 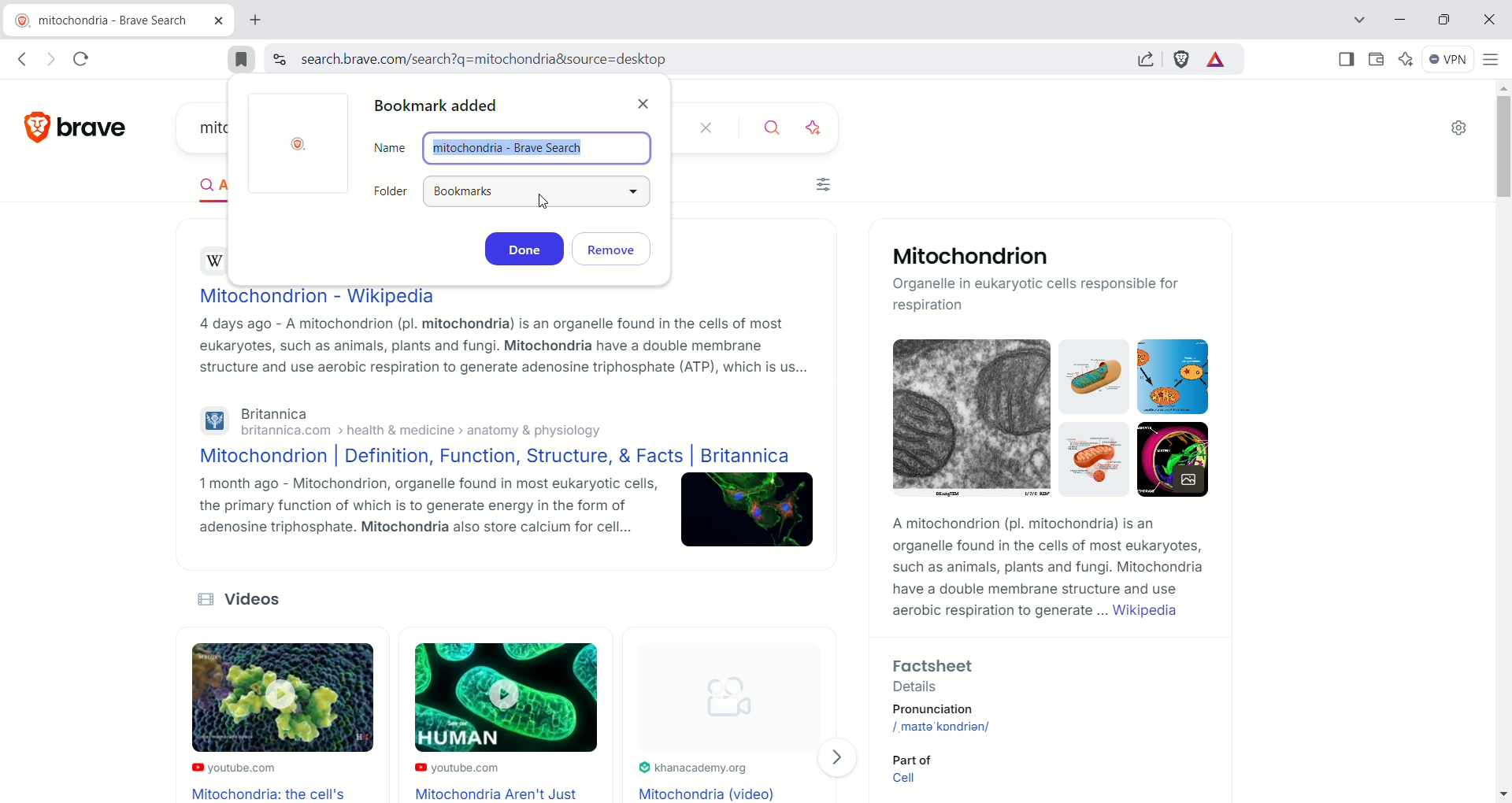 I want to click on new tab, so click(x=258, y=22).